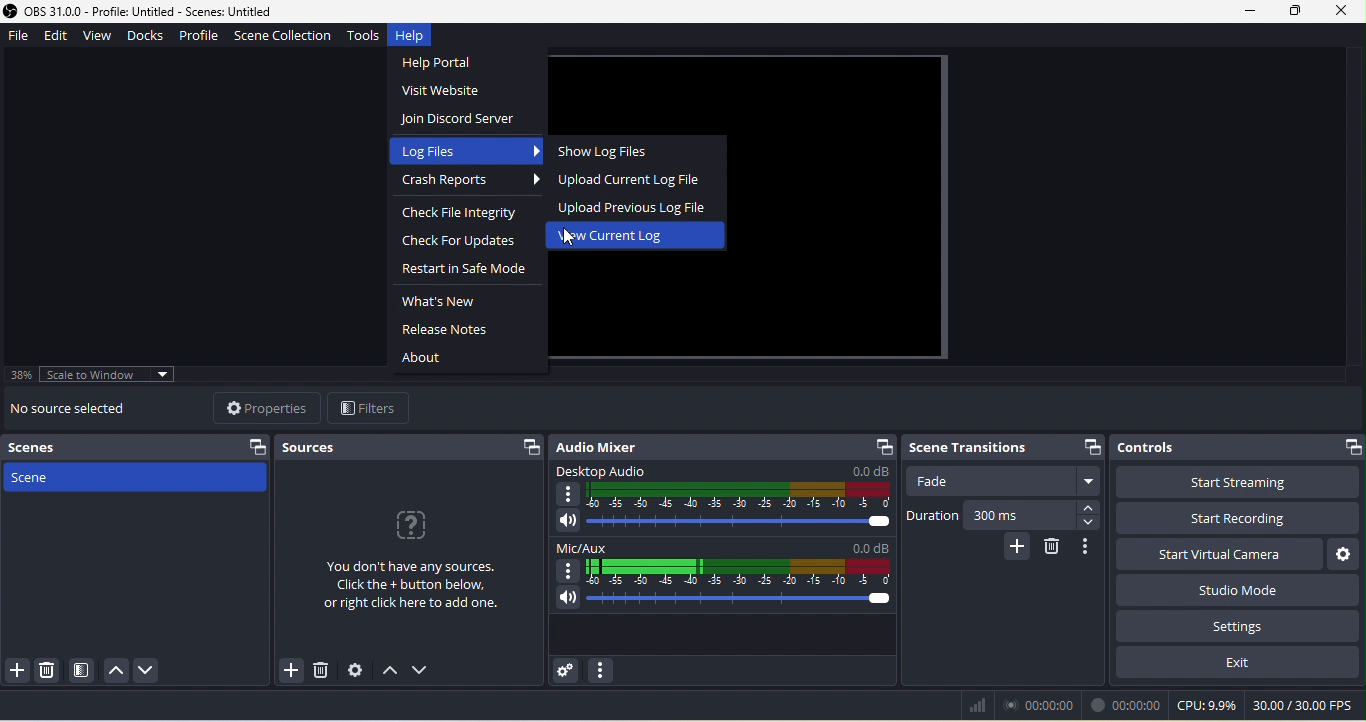  Describe the element at coordinates (637, 207) in the screenshot. I see `upload previous log file` at that location.